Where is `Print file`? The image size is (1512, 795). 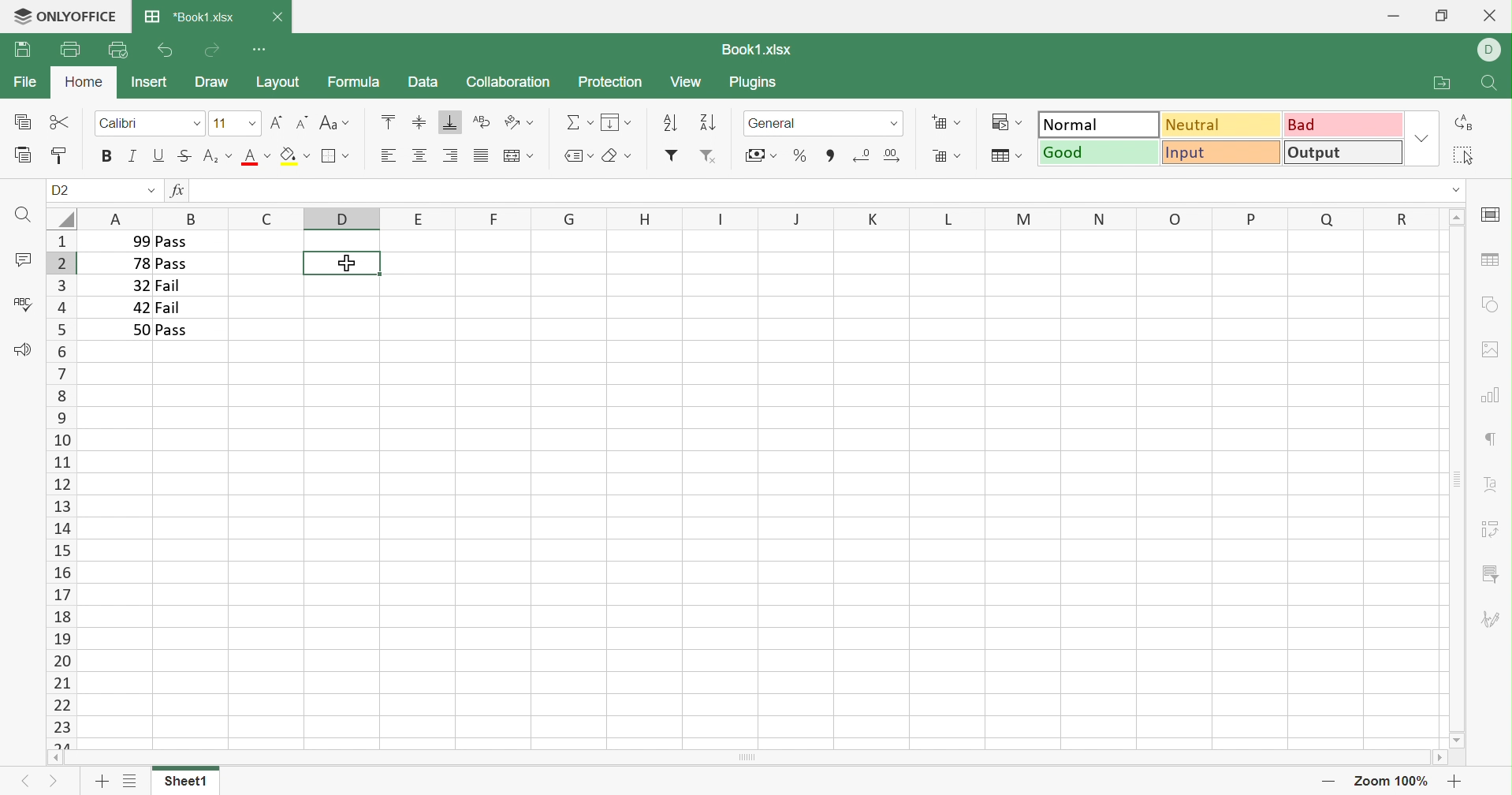 Print file is located at coordinates (70, 49).